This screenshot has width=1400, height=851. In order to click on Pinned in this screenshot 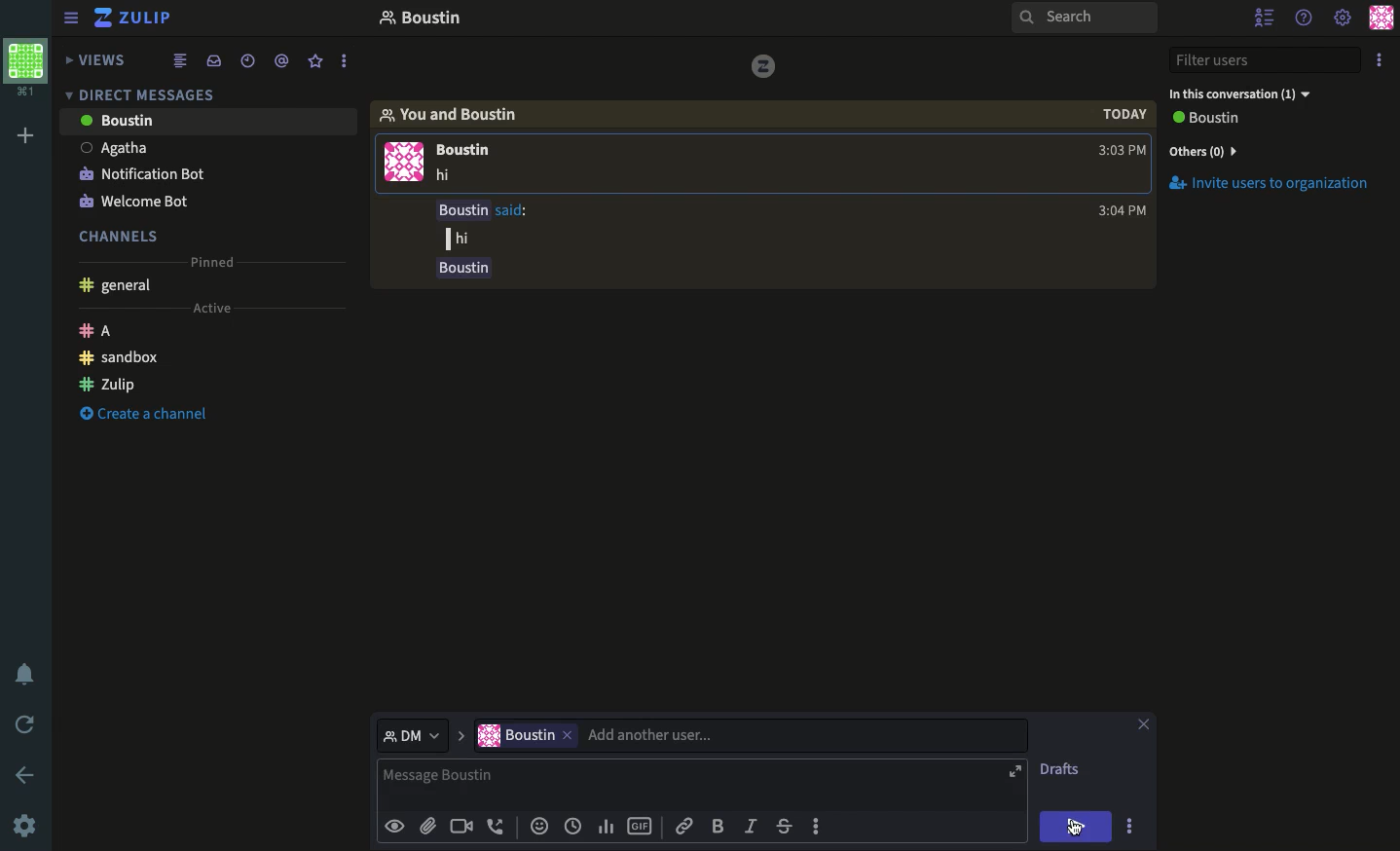, I will do `click(215, 261)`.